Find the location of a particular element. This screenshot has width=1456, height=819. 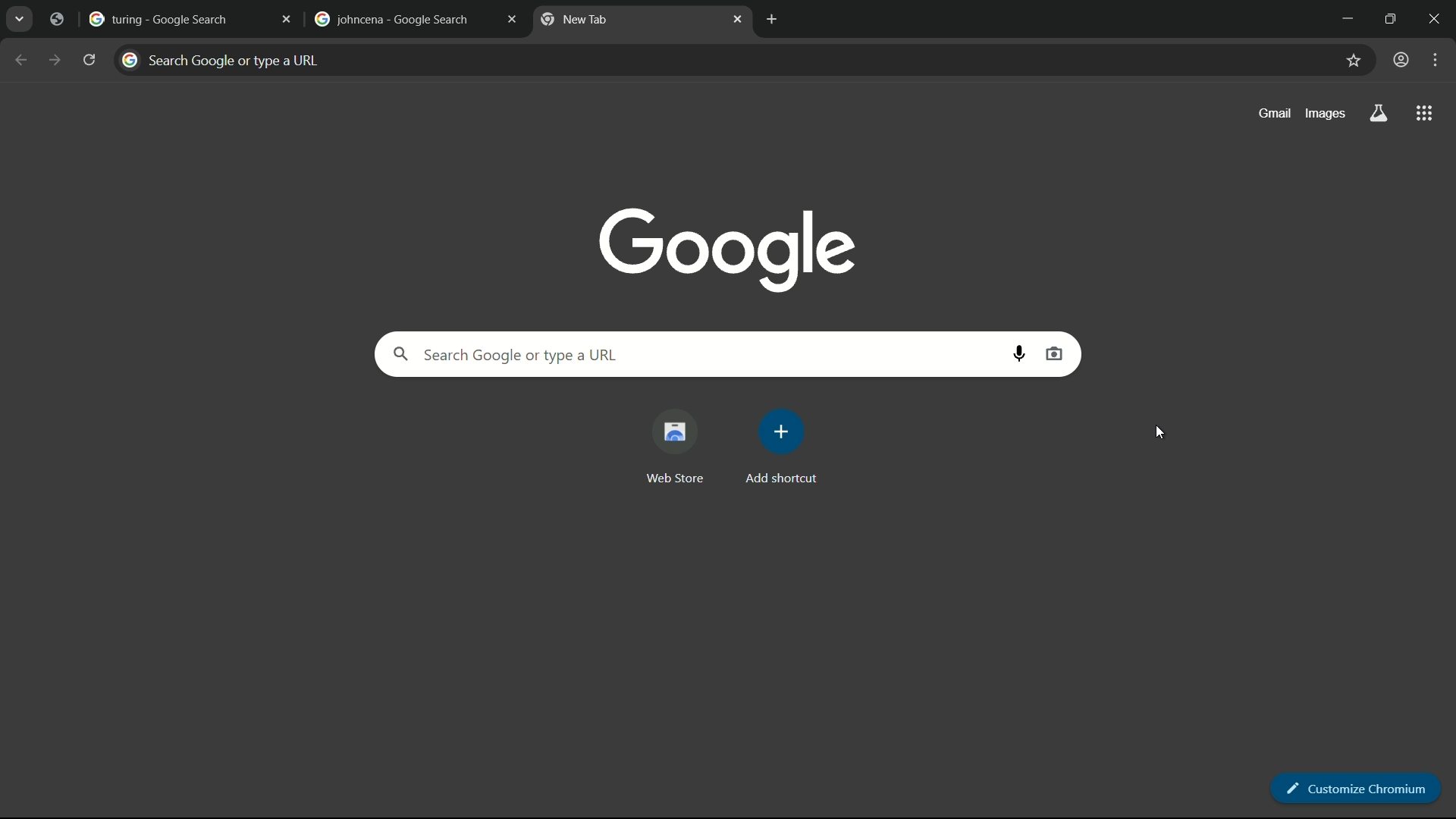

settings is located at coordinates (1437, 59).